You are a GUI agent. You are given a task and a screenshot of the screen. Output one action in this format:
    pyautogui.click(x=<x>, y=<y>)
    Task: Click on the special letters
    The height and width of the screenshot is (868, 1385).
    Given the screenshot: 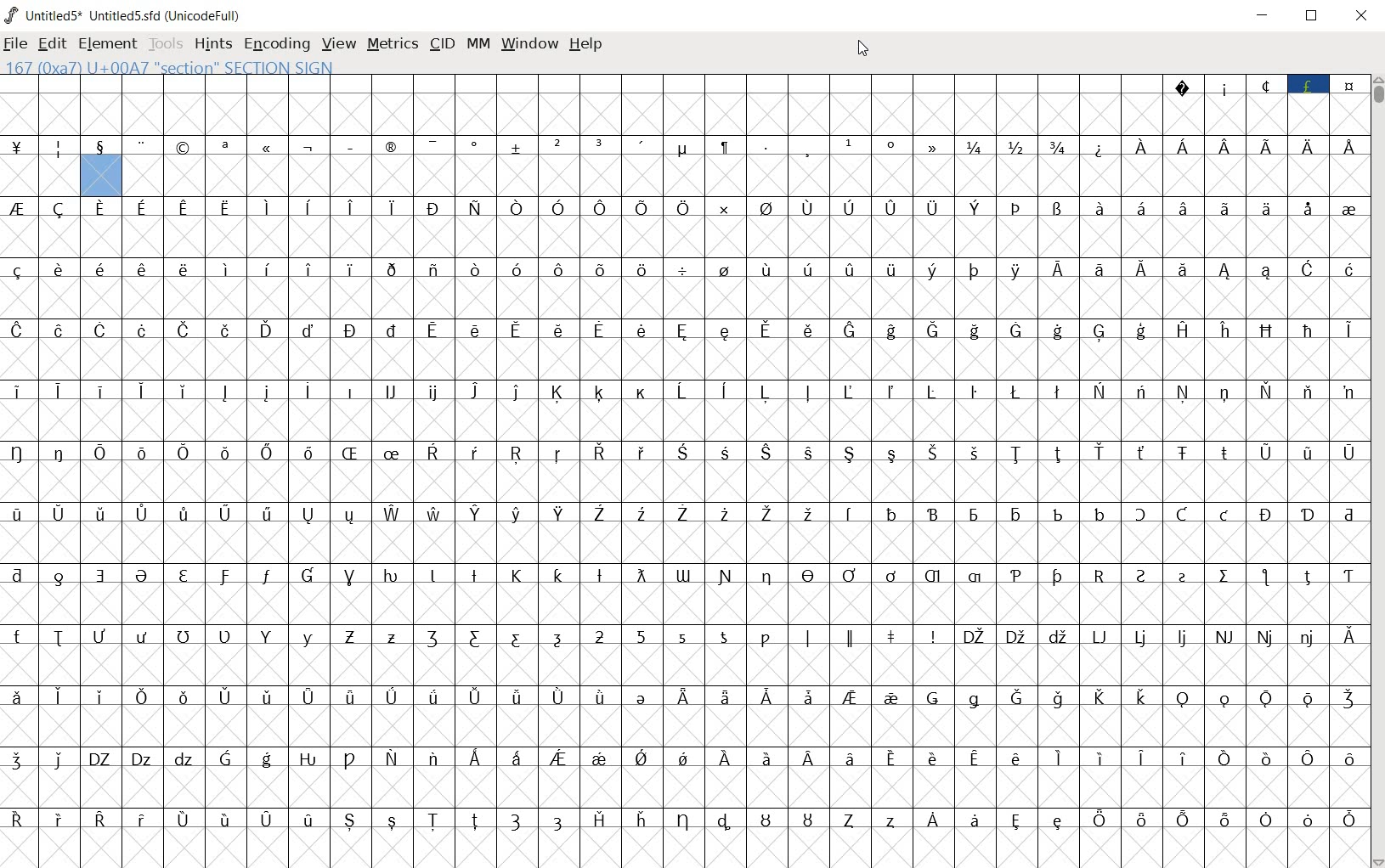 What is the action you would take?
    pyautogui.click(x=685, y=635)
    